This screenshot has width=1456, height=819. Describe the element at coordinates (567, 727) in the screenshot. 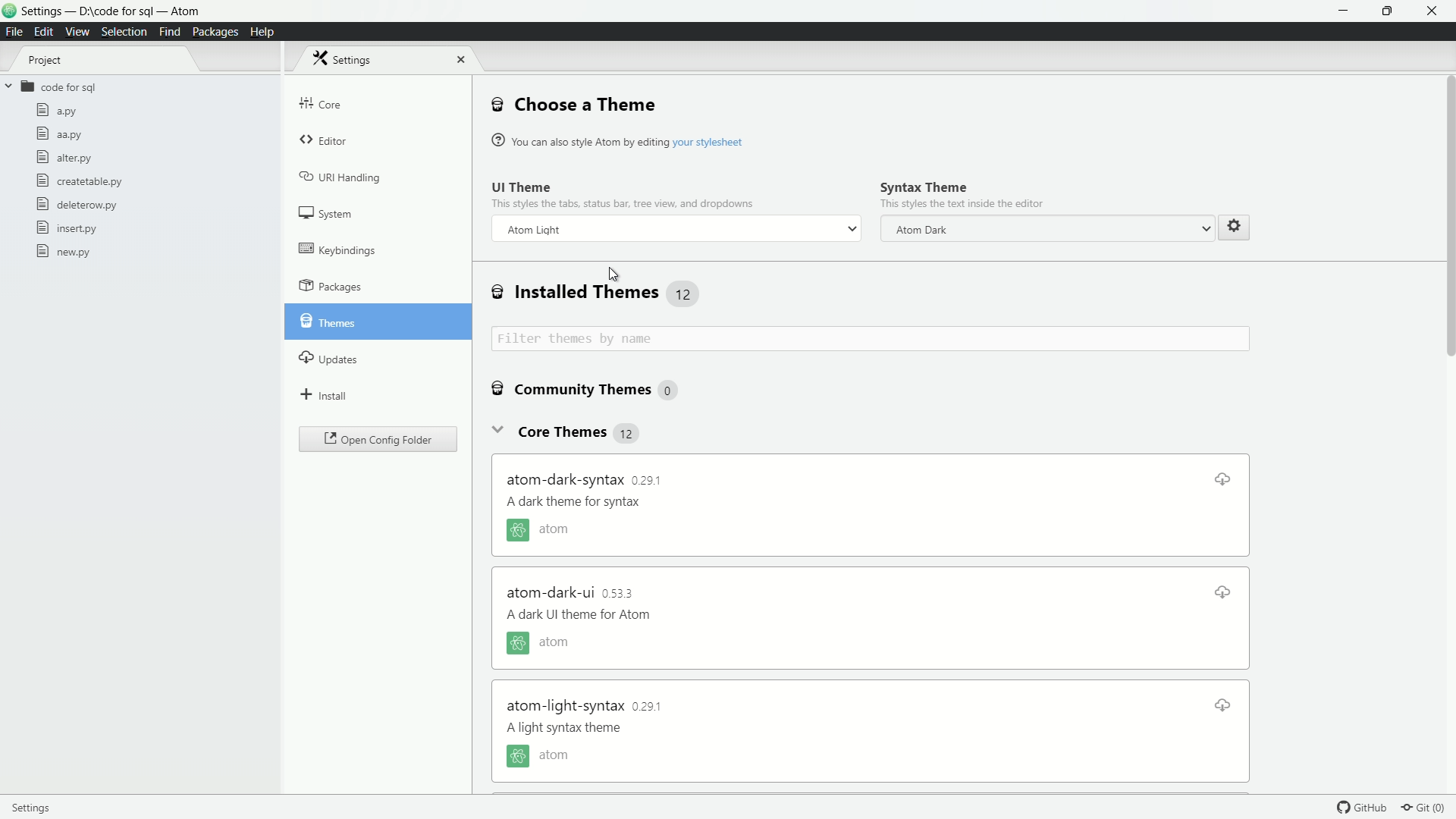

I see `a dark theme for syntax` at that location.